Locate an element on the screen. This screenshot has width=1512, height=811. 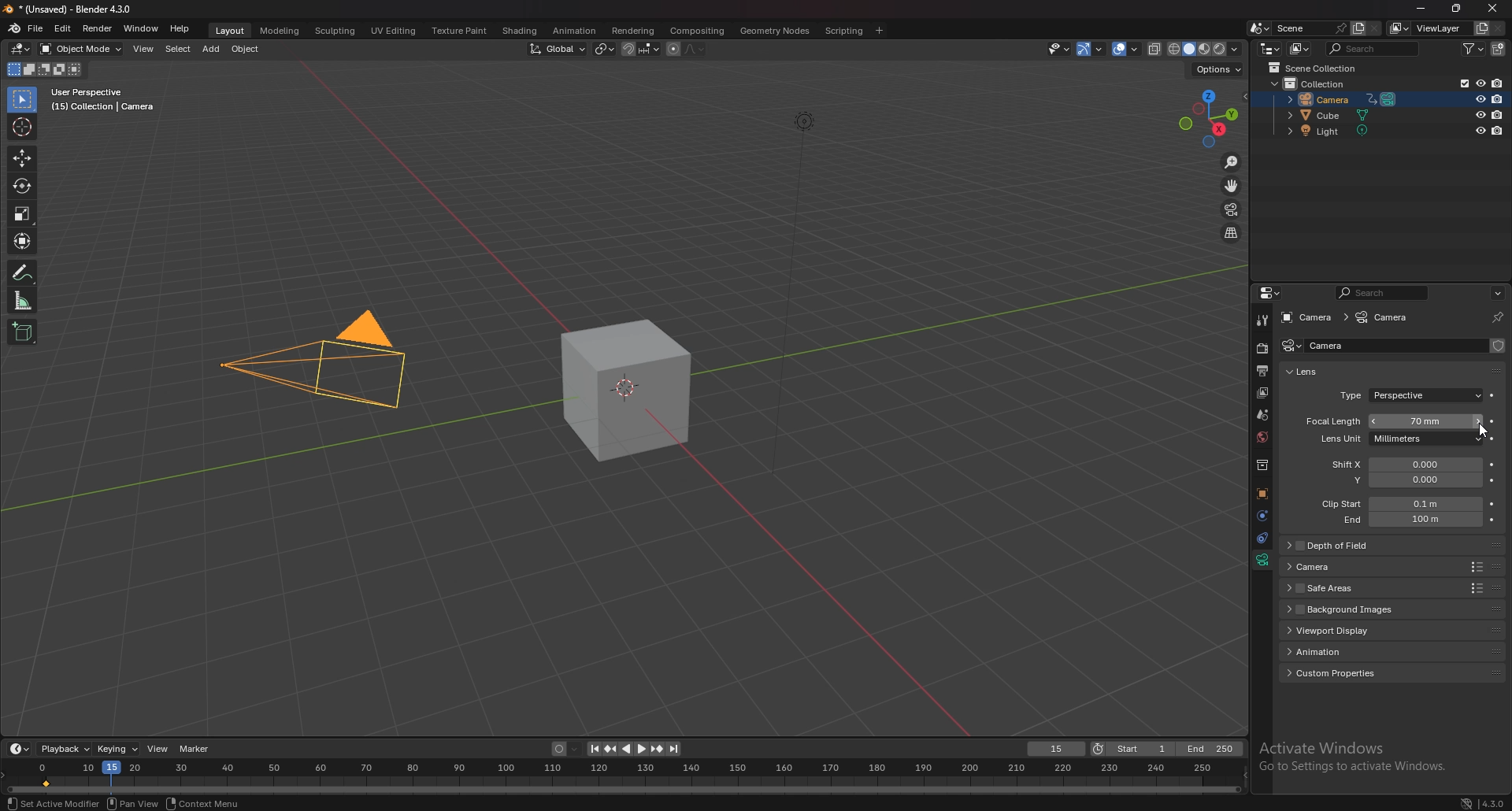
disable in renders is located at coordinates (1496, 99).